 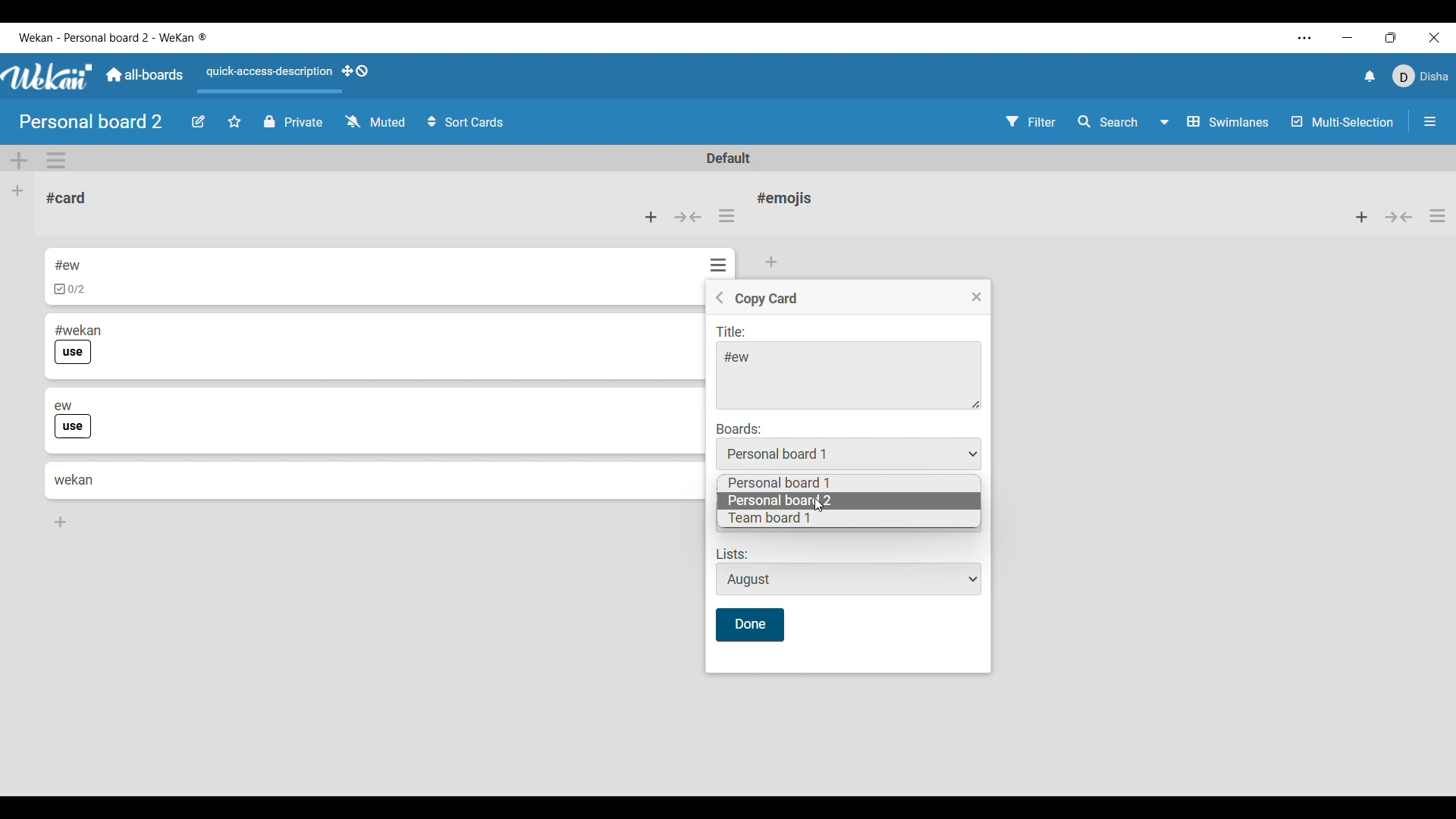 What do you see at coordinates (1391, 37) in the screenshot?
I see `Show interface in a smaller tab` at bounding box center [1391, 37].